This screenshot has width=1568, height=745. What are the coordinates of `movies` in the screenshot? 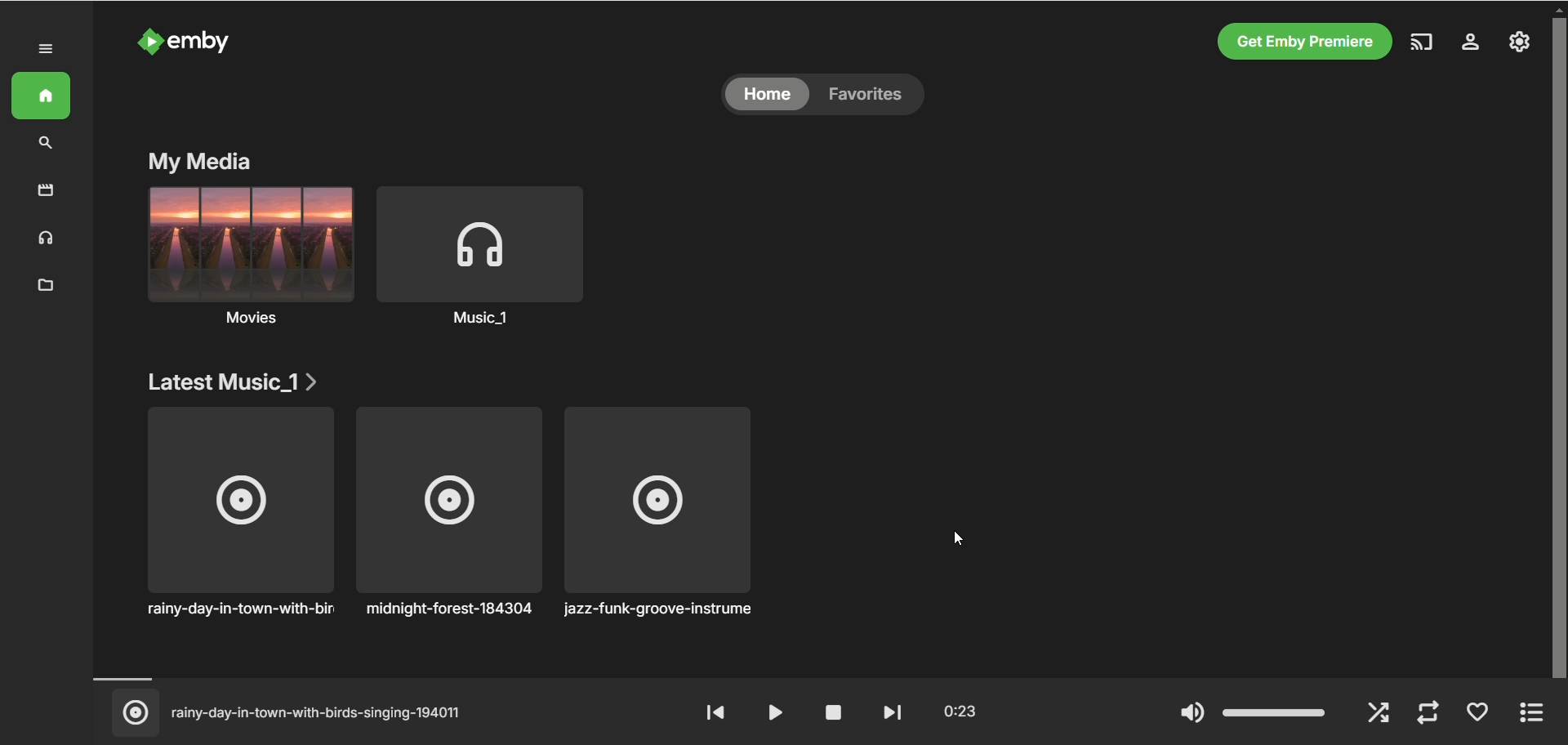 It's located at (247, 259).